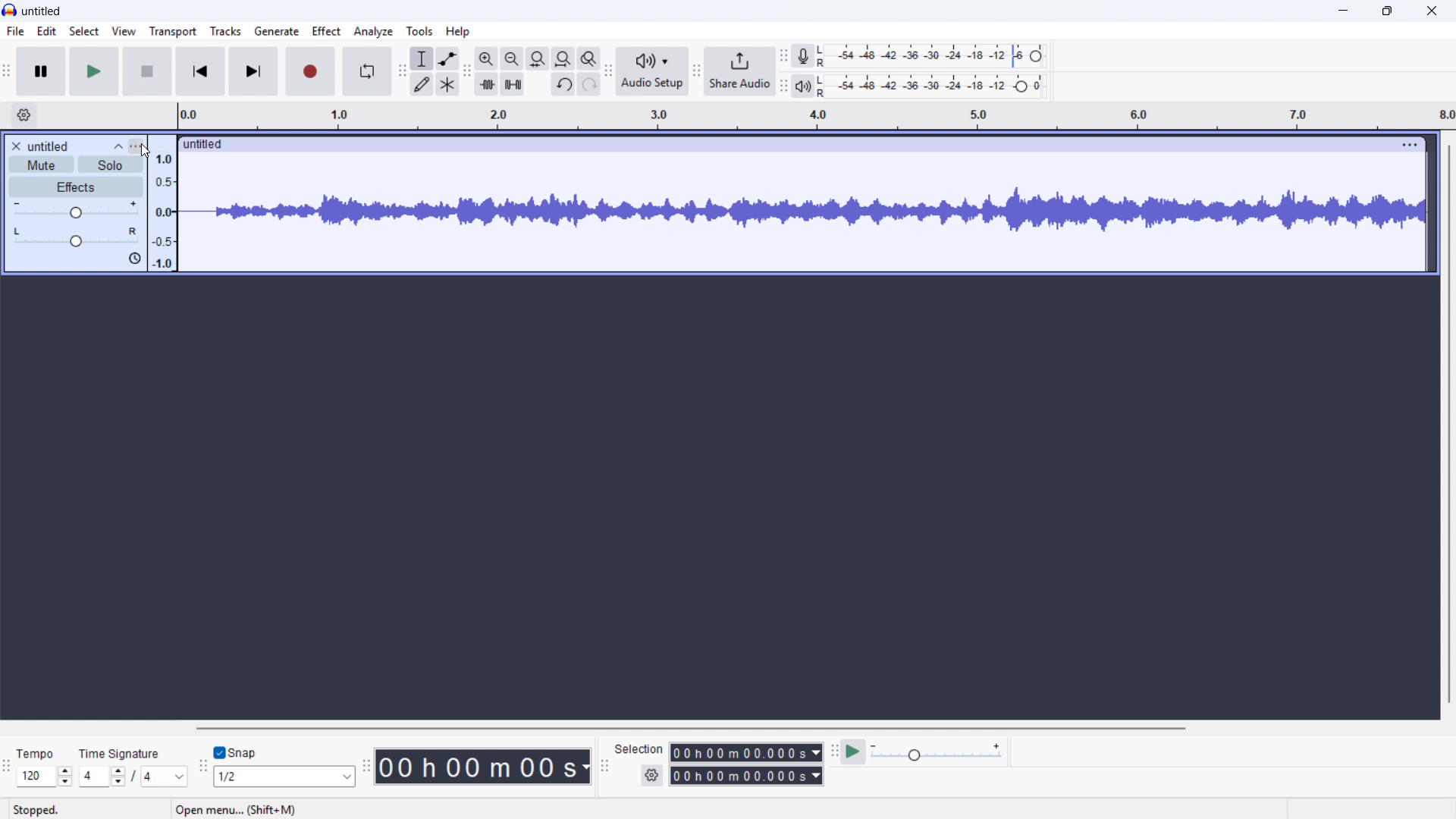 The height and width of the screenshot is (819, 1456). What do you see at coordinates (563, 59) in the screenshot?
I see `` at bounding box center [563, 59].